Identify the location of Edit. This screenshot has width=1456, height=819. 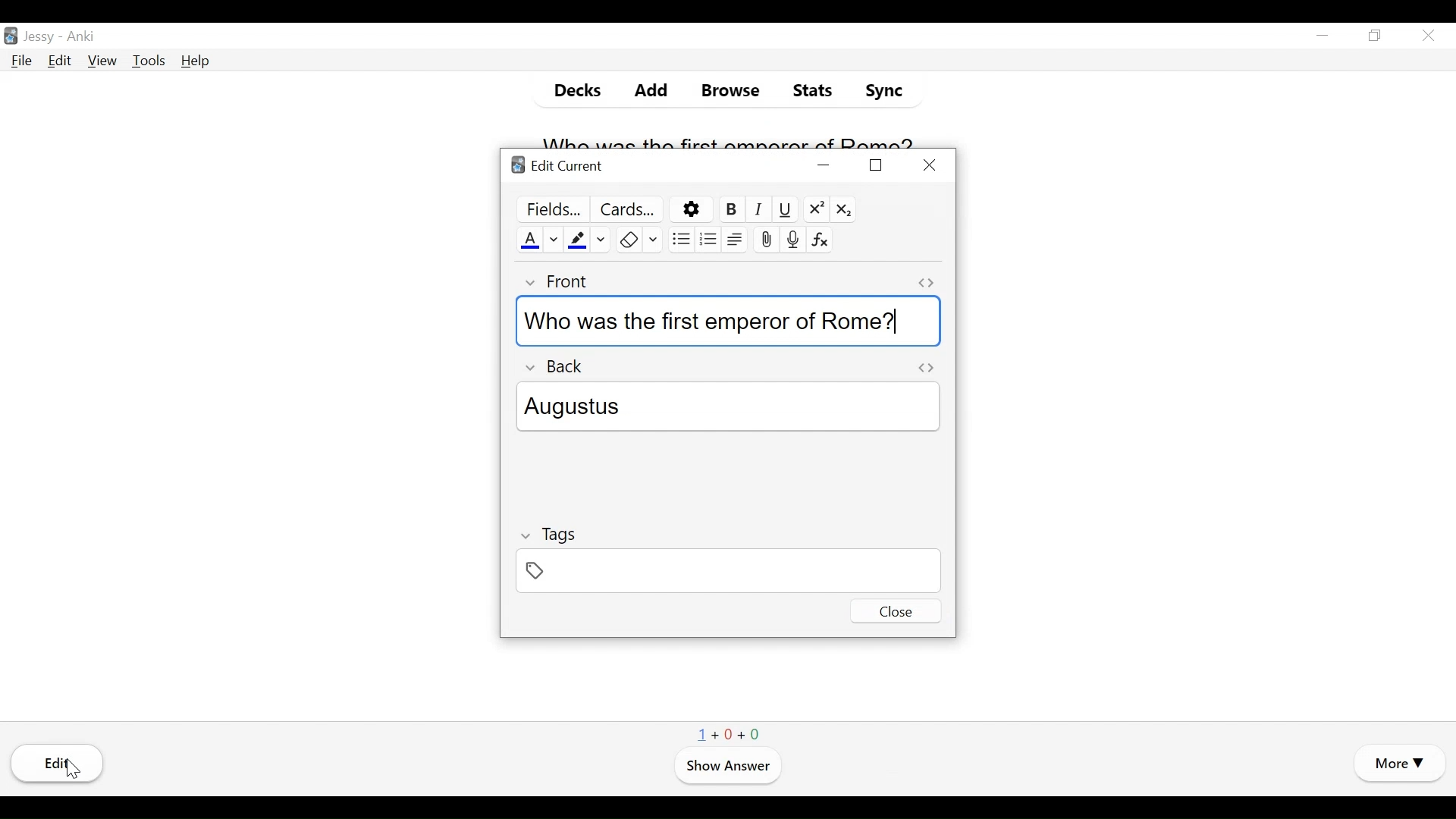
(60, 61).